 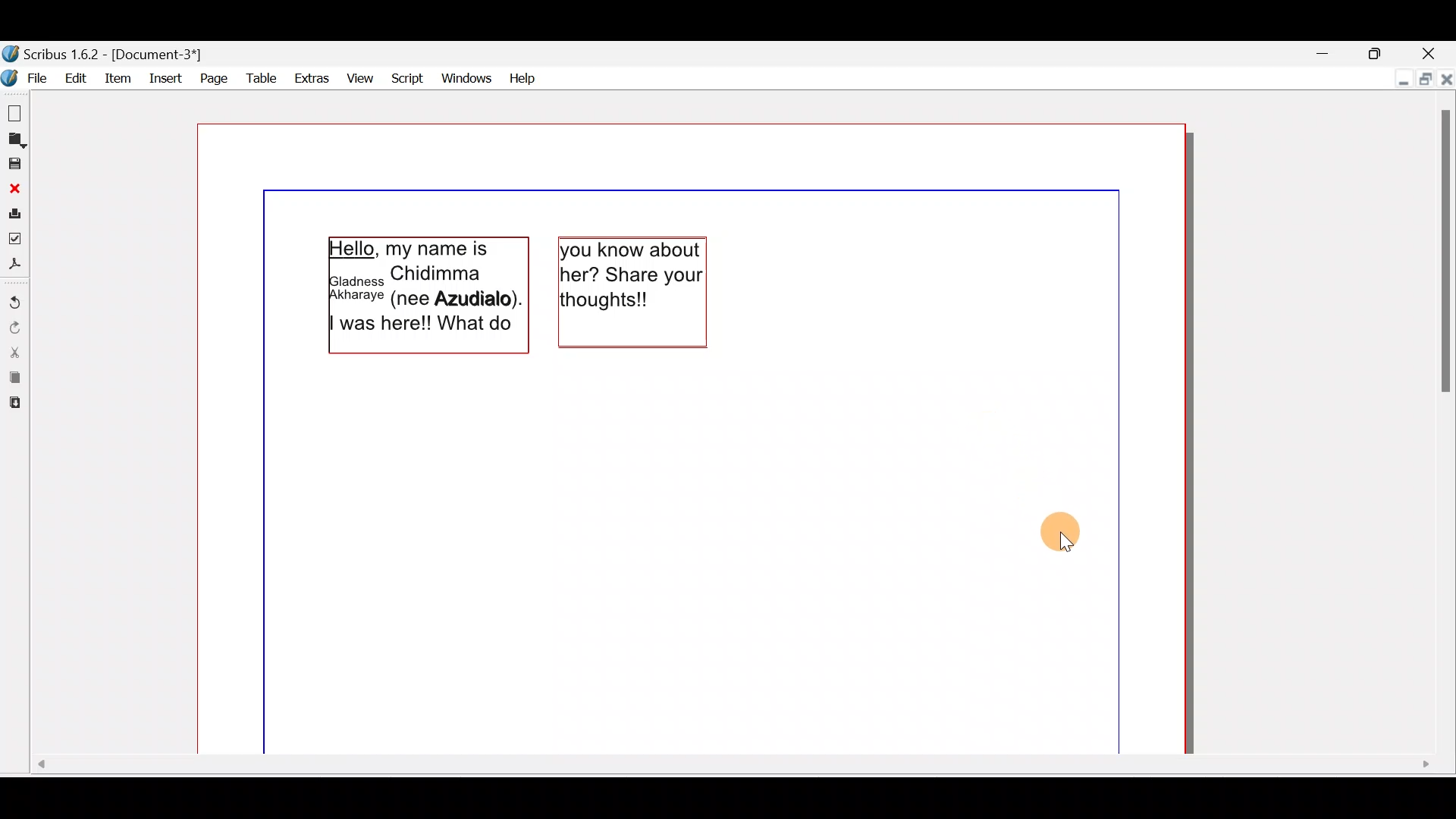 I want to click on Copy, so click(x=14, y=378).